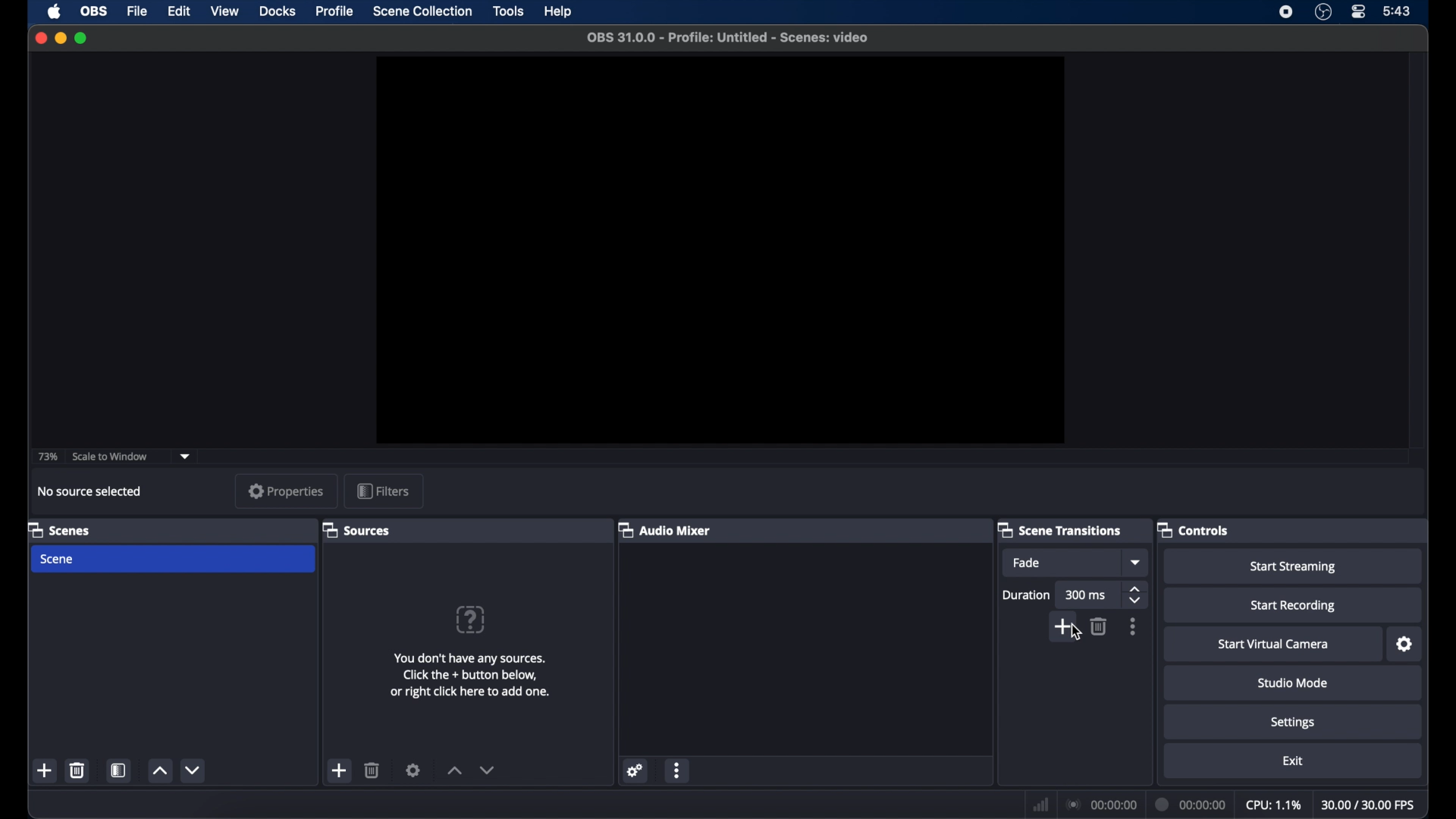 This screenshot has height=819, width=1456. Describe the element at coordinates (1028, 594) in the screenshot. I see `duration` at that location.